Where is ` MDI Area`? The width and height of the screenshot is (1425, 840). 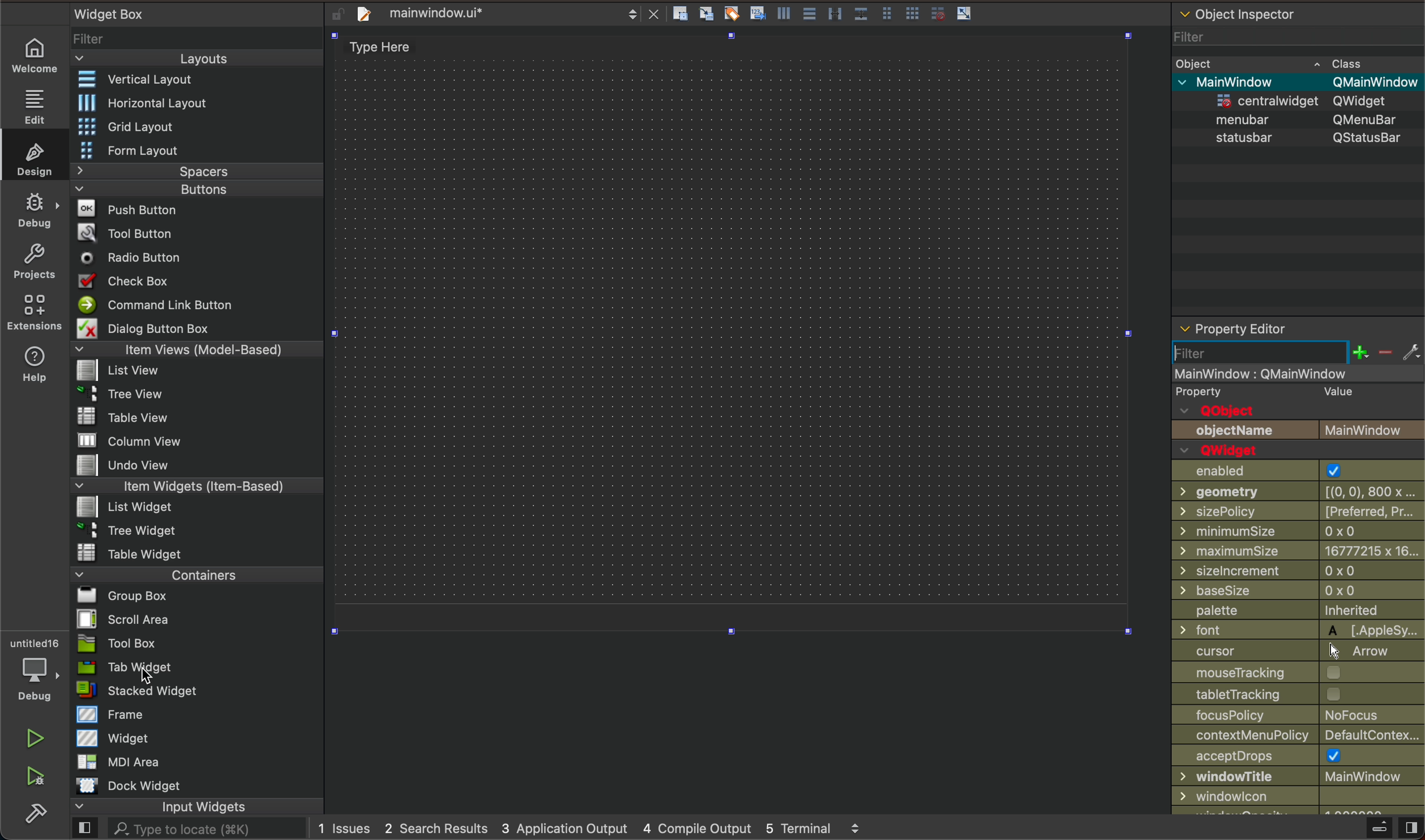  MDI Area is located at coordinates (128, 761).